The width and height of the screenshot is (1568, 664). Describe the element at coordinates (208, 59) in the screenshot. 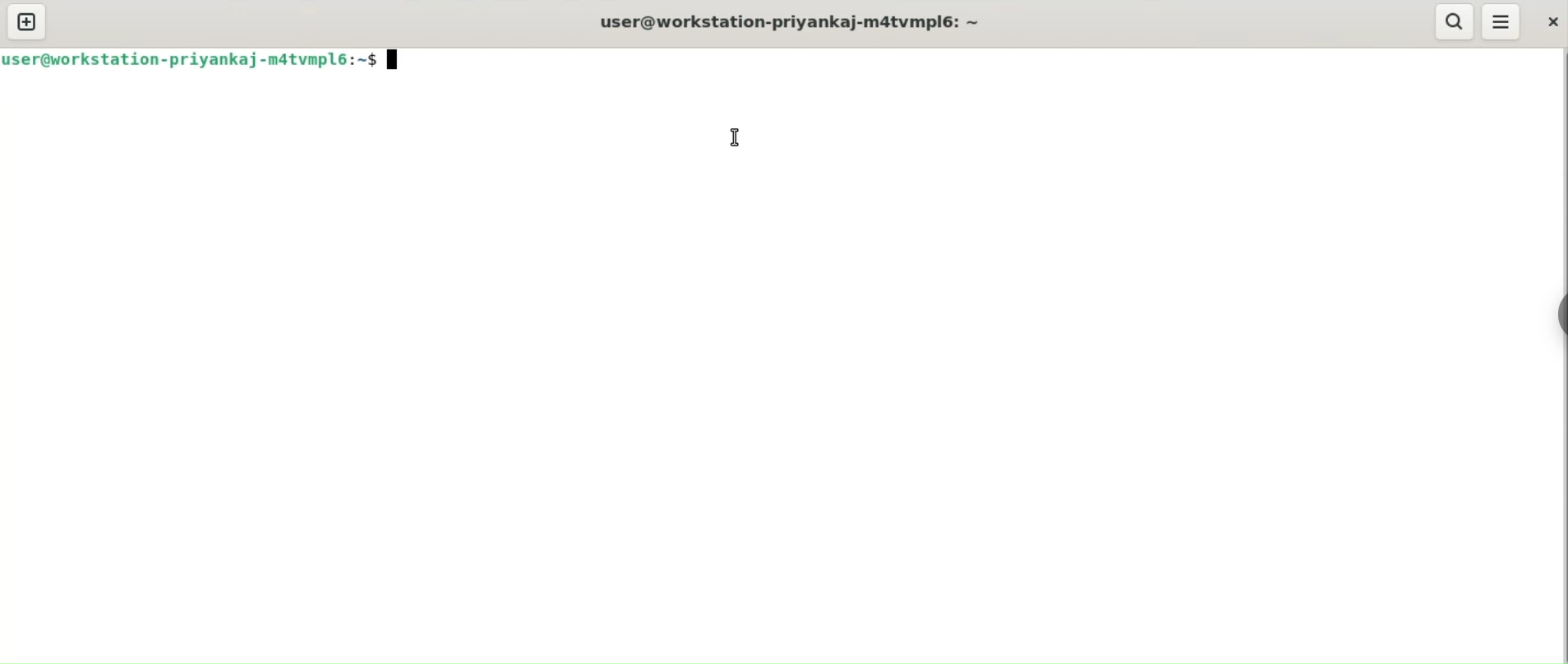

I see `ser@workstation-priyankaj-matvmpl6:~$ | |` at that location.